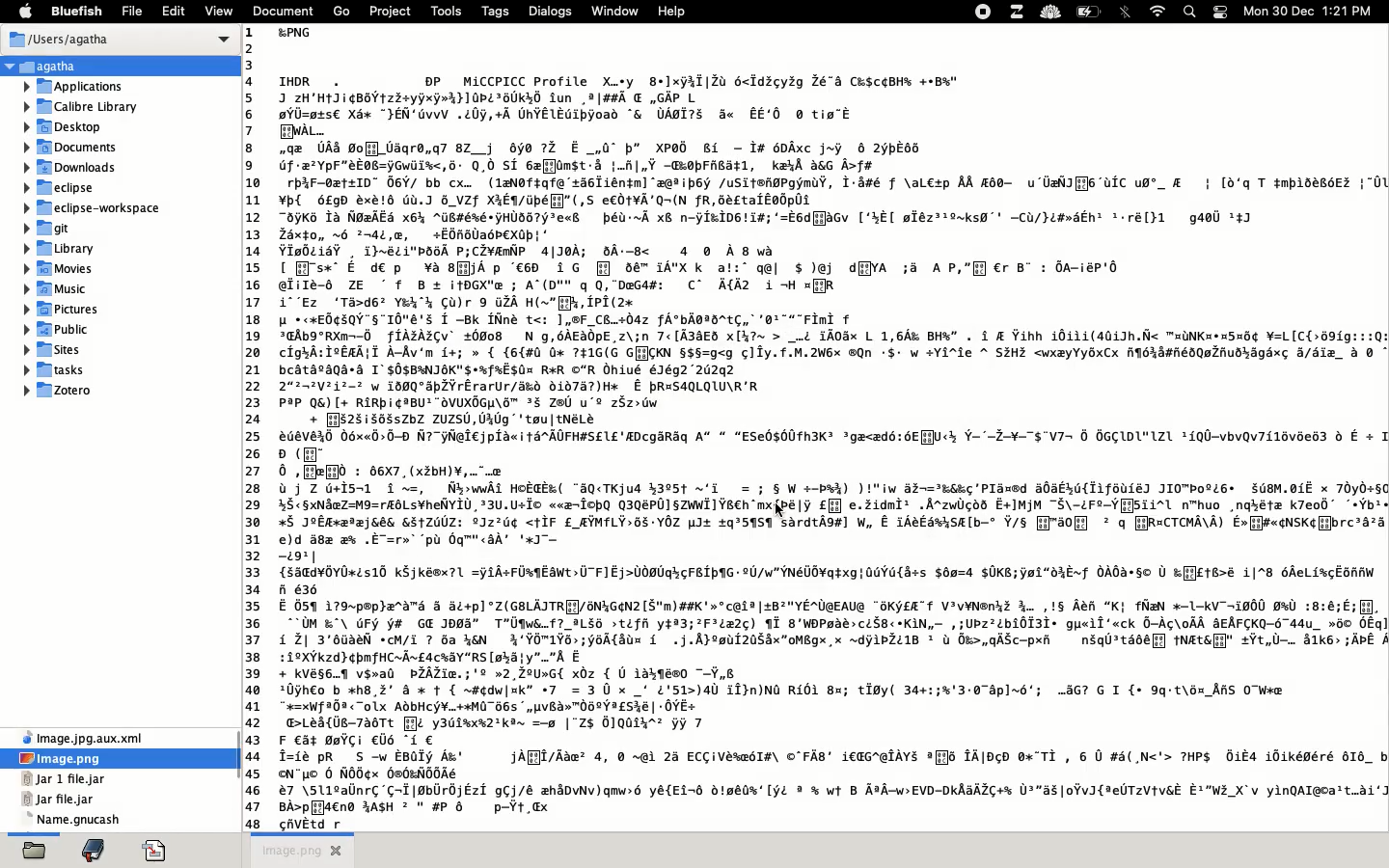  Describe the element at coordinates (67, 800) in the screenshot. I see `file name and extension` at that location.